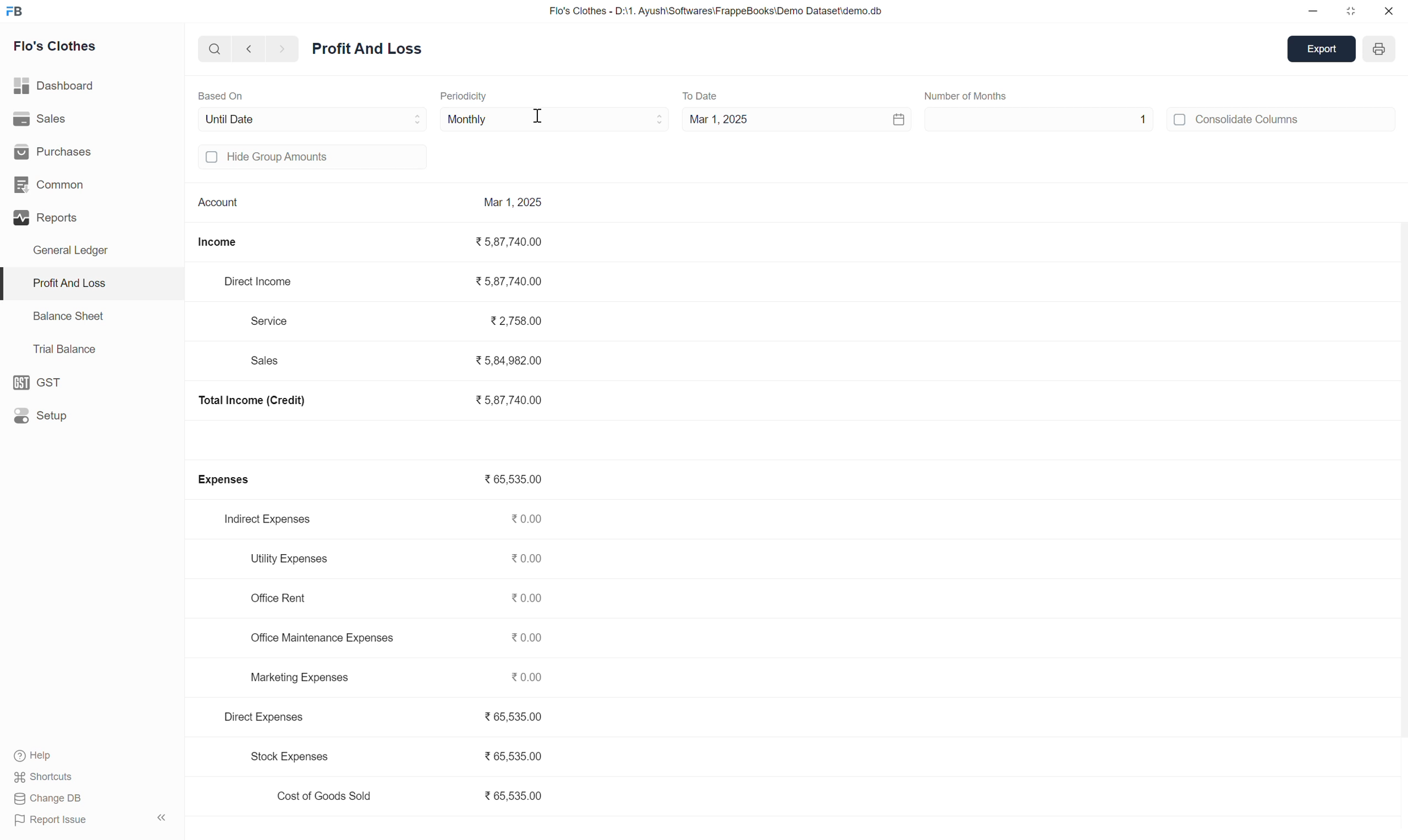  What do you see at coordinates (467, 97) in the screenshot?
I see `Periodicity` at bounding box center [467, 97].